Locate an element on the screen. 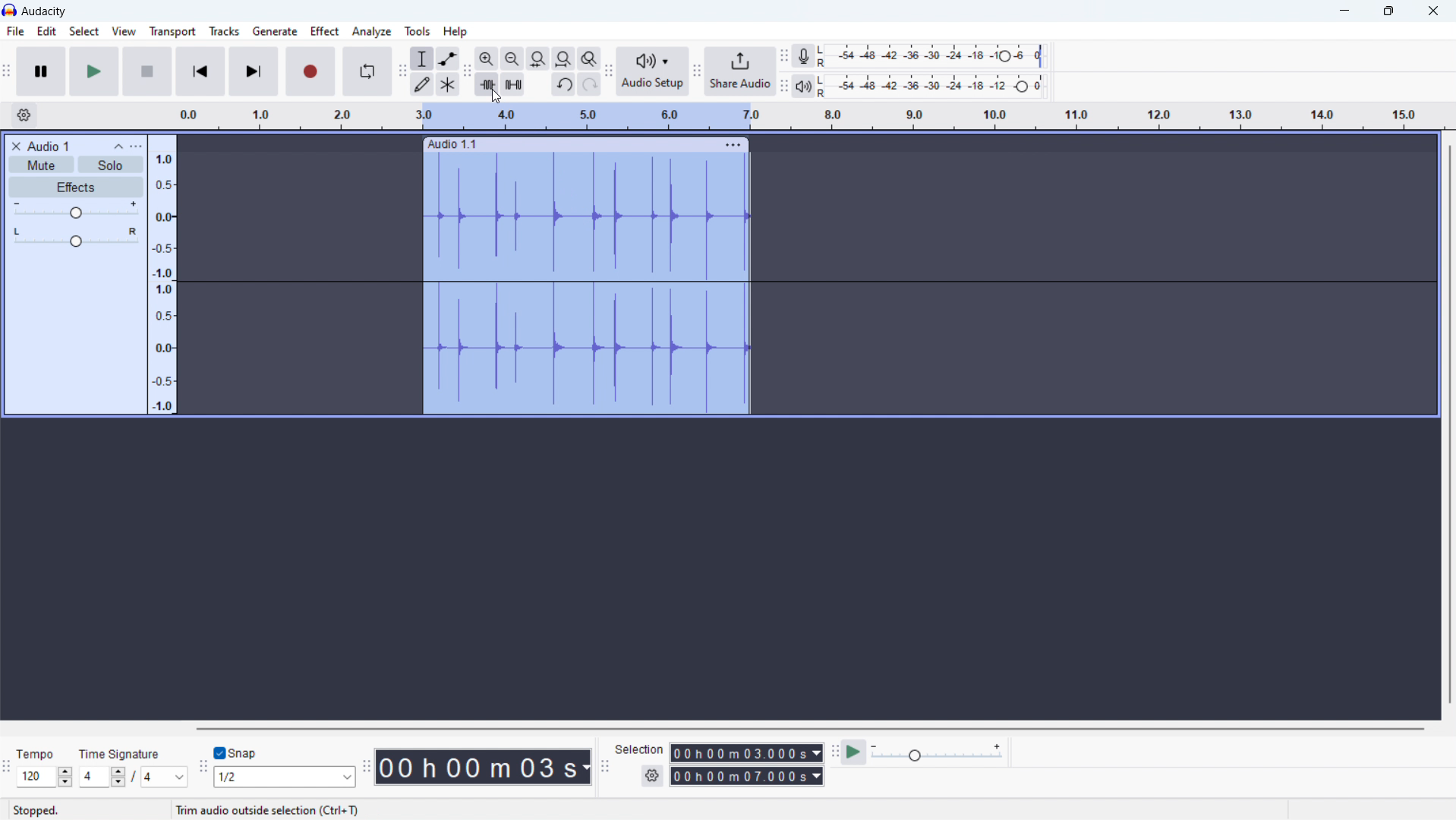 Image resolution: width=1456 pixels, height=820 pixels. silence audio selection is located at coordinates (512, 84).